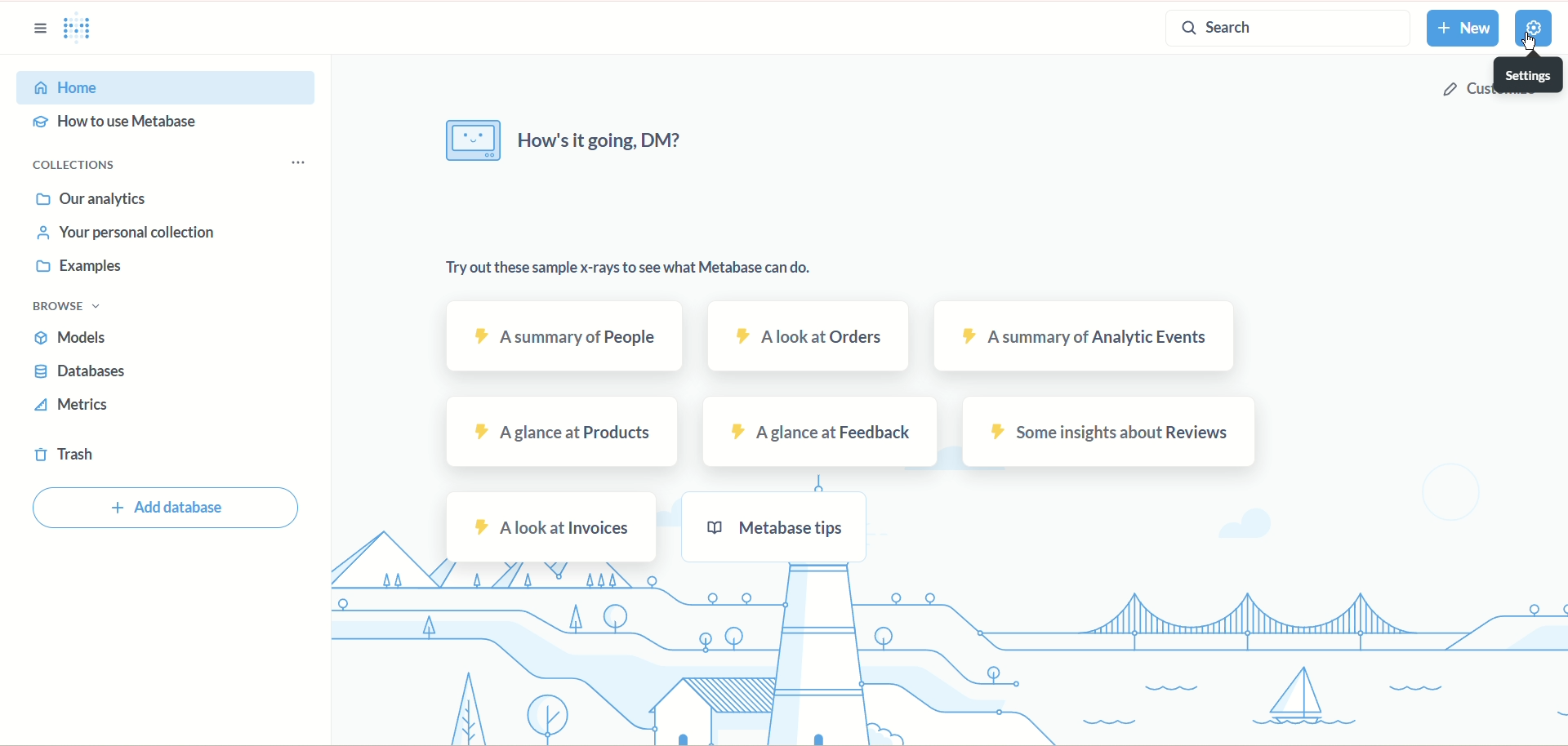 This screenshot has height=746, width=1568. I want to click on how to use metabase, so click(119, 122).